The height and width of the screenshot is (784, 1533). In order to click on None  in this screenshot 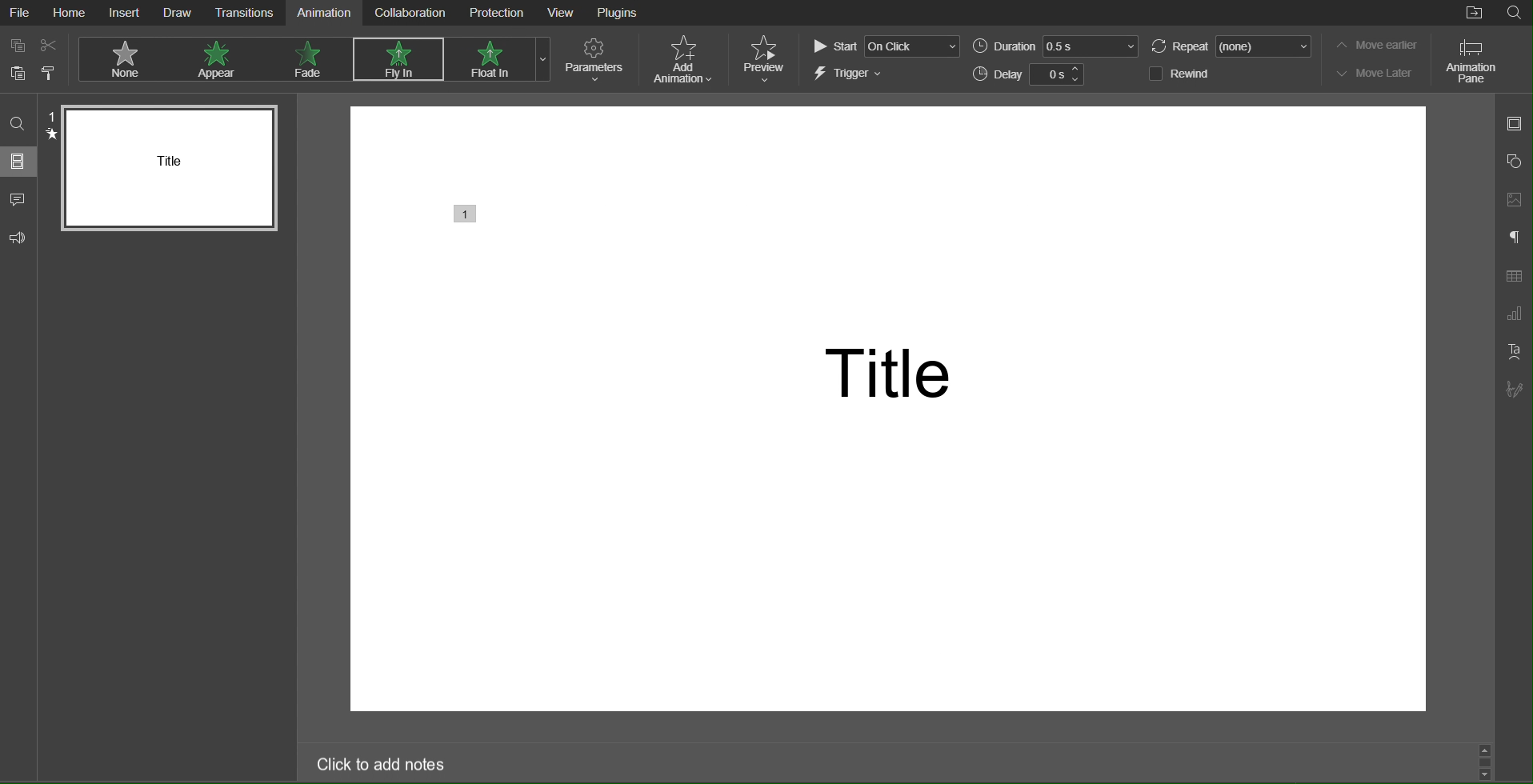, I will do `click(121, 58)`.